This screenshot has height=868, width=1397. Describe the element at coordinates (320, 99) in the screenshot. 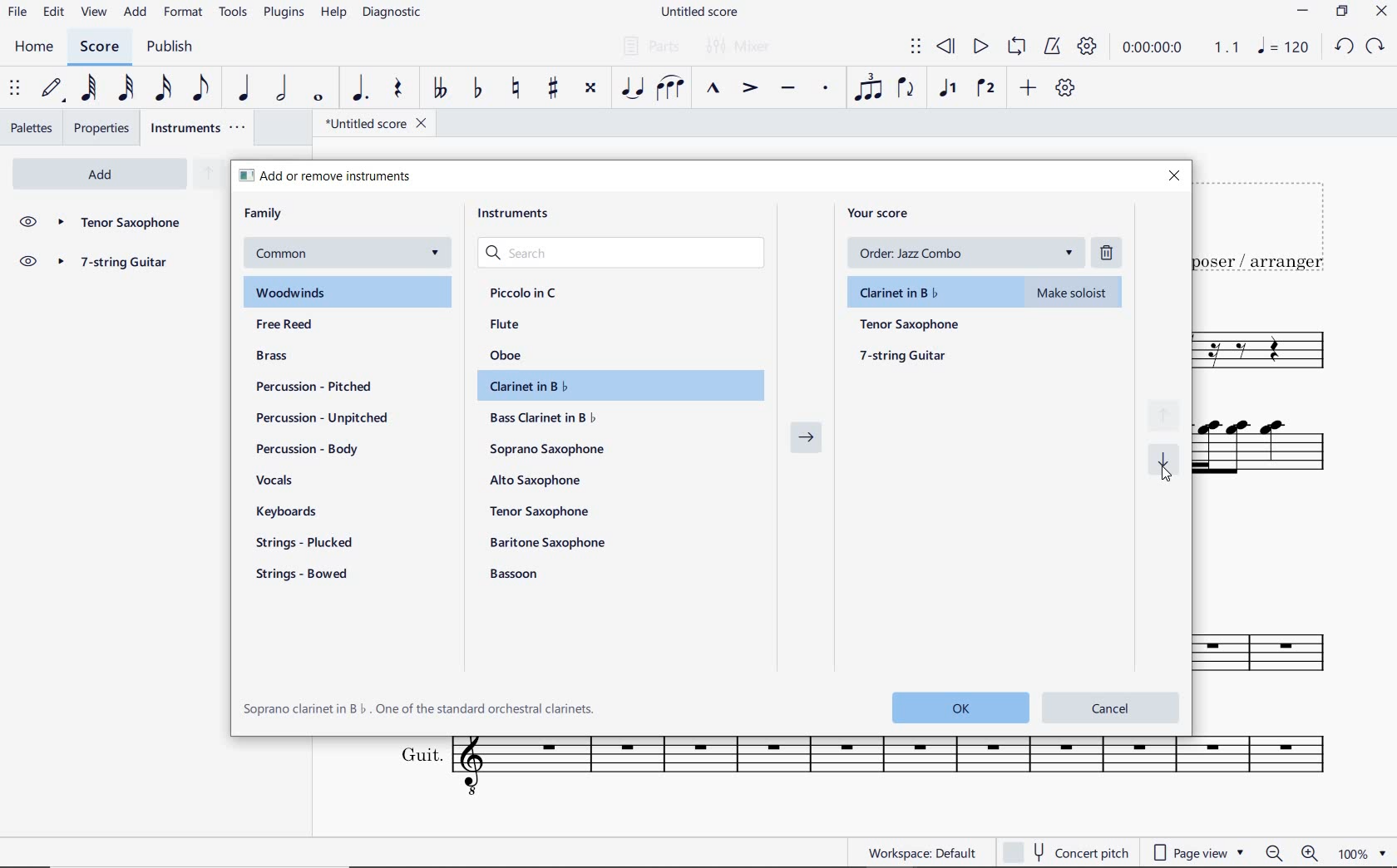

I see `WHOLE NOTE` at that location.